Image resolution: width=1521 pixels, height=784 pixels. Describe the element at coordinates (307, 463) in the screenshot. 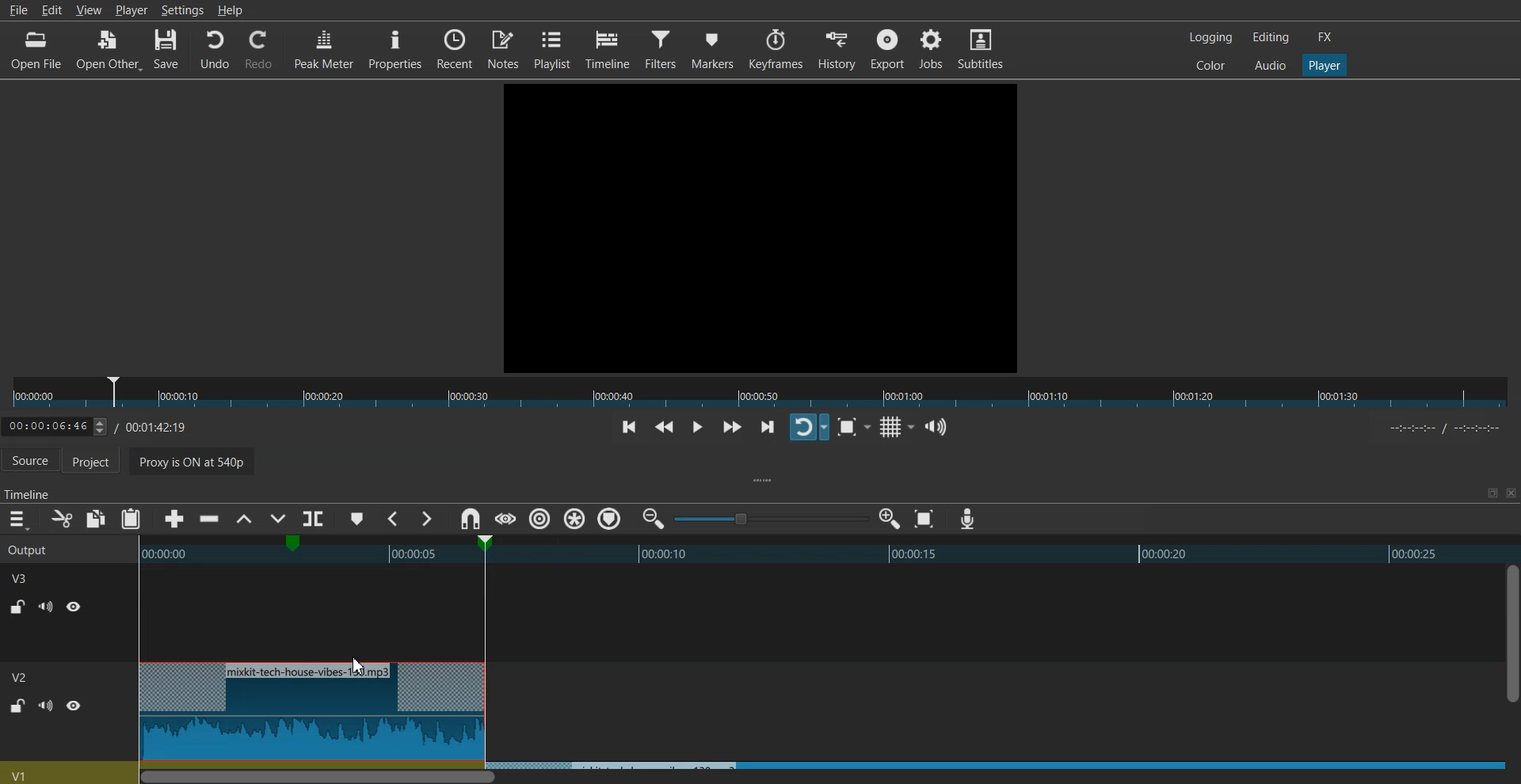

I see `Proxy is ON at 540p` at that location.